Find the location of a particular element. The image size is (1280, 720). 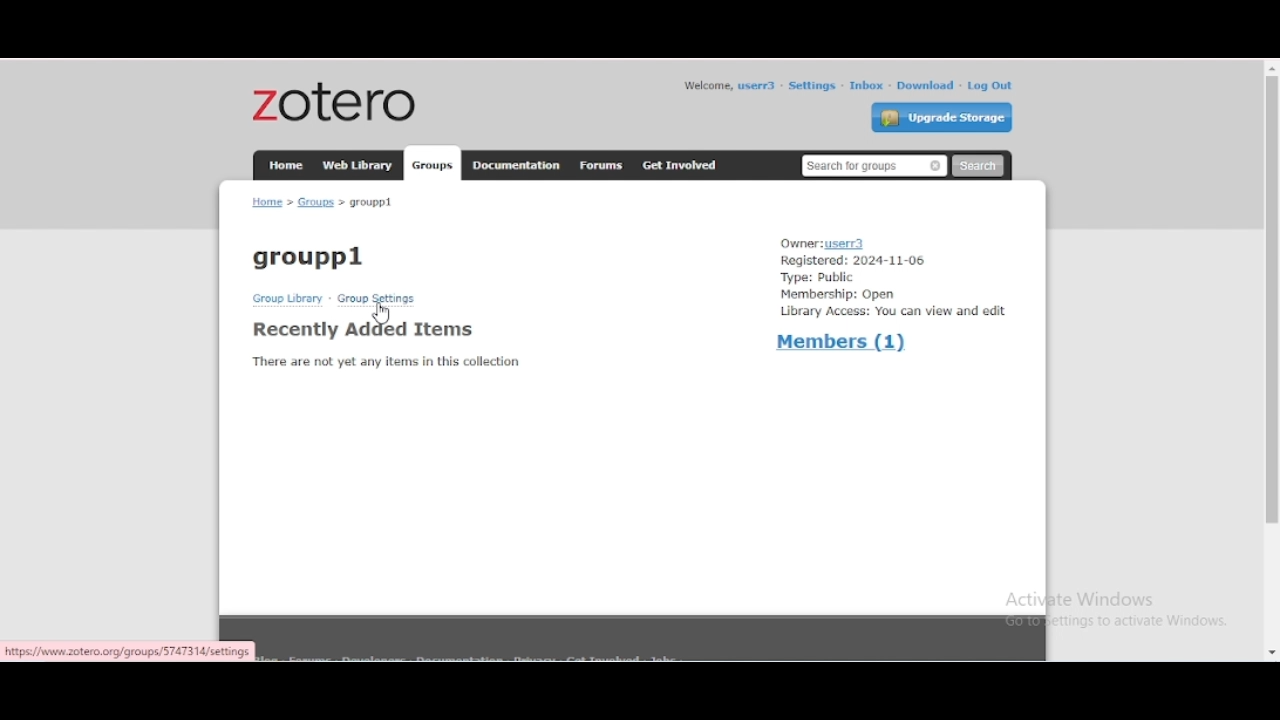

forums is located at coordinates (602, 165).